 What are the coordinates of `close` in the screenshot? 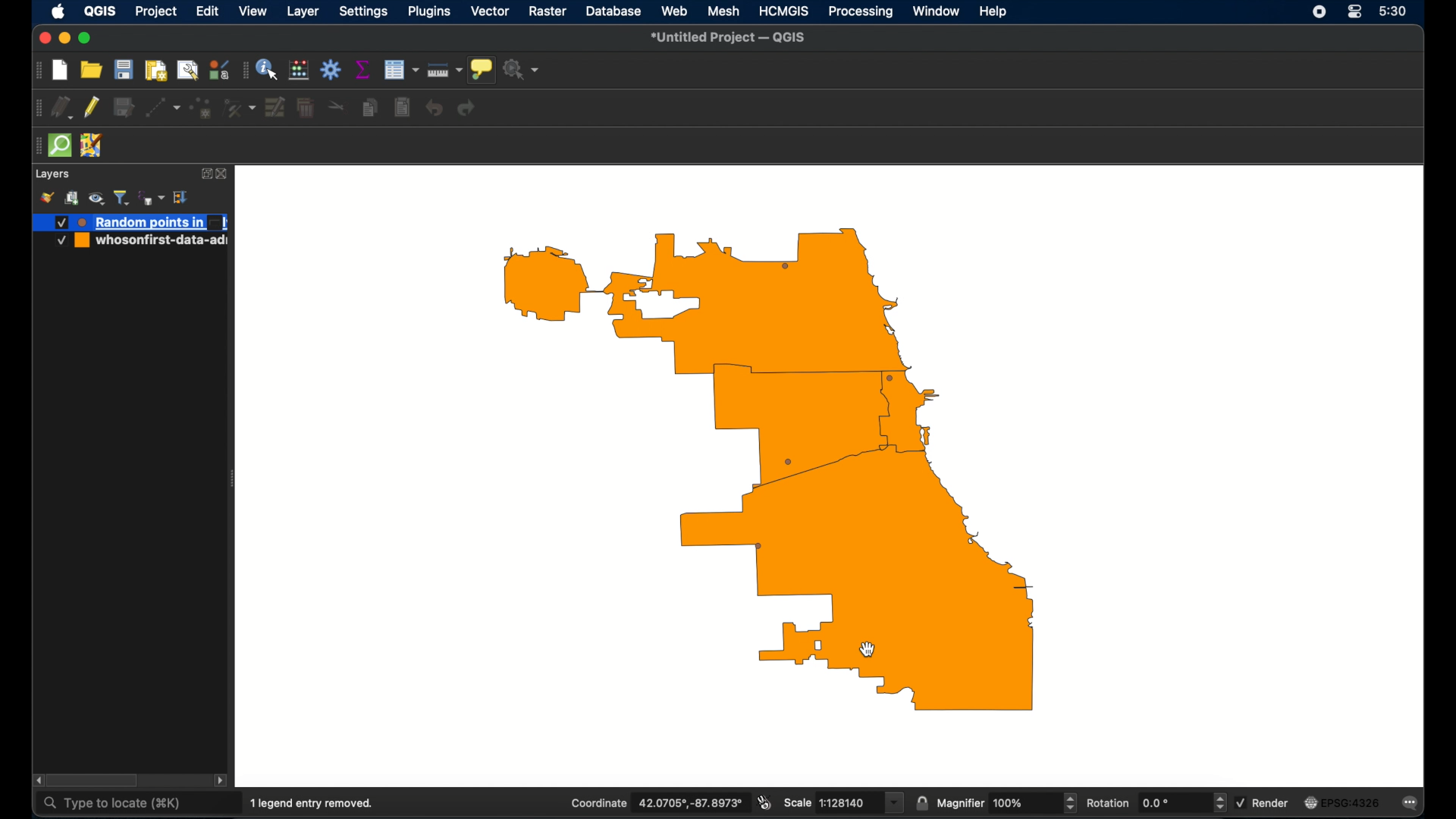 It's located at (43, 39).